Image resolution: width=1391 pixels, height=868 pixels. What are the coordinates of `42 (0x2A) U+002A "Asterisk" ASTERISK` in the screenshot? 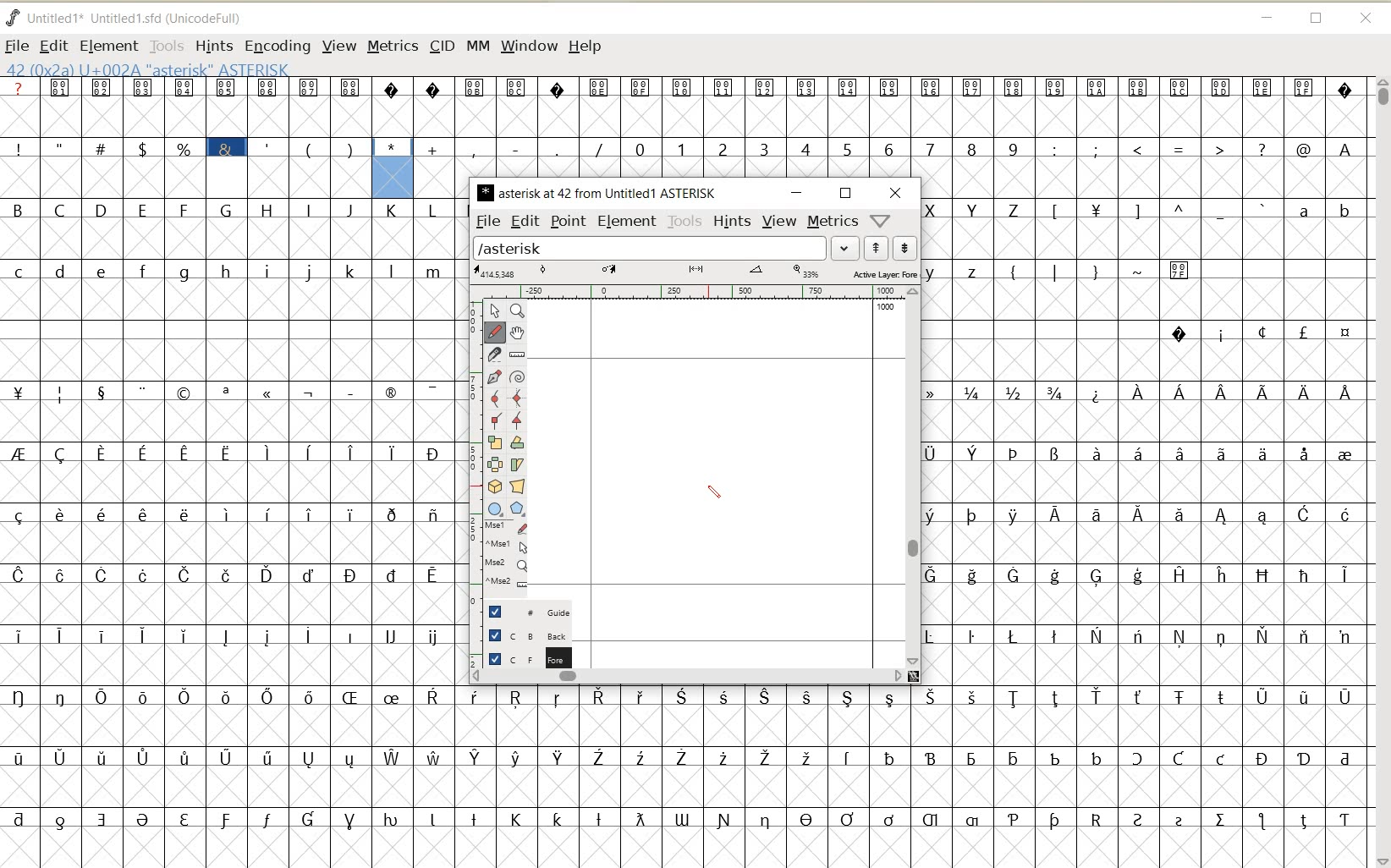 It's located at (153, 69).